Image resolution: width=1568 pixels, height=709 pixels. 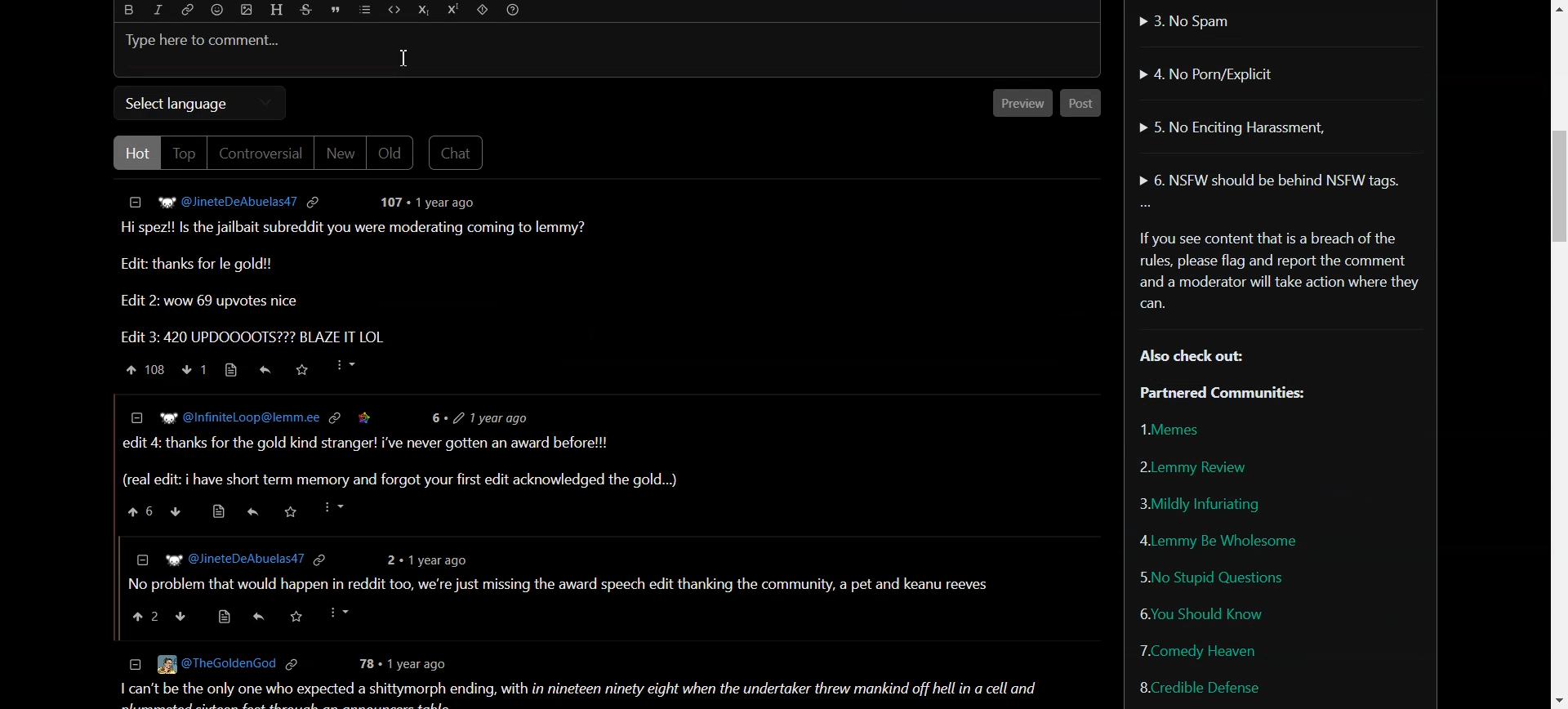 What do you see at coordinates (1181, 430) in the screenshot?
I see `Memes` at bounding box center [1181, 430].